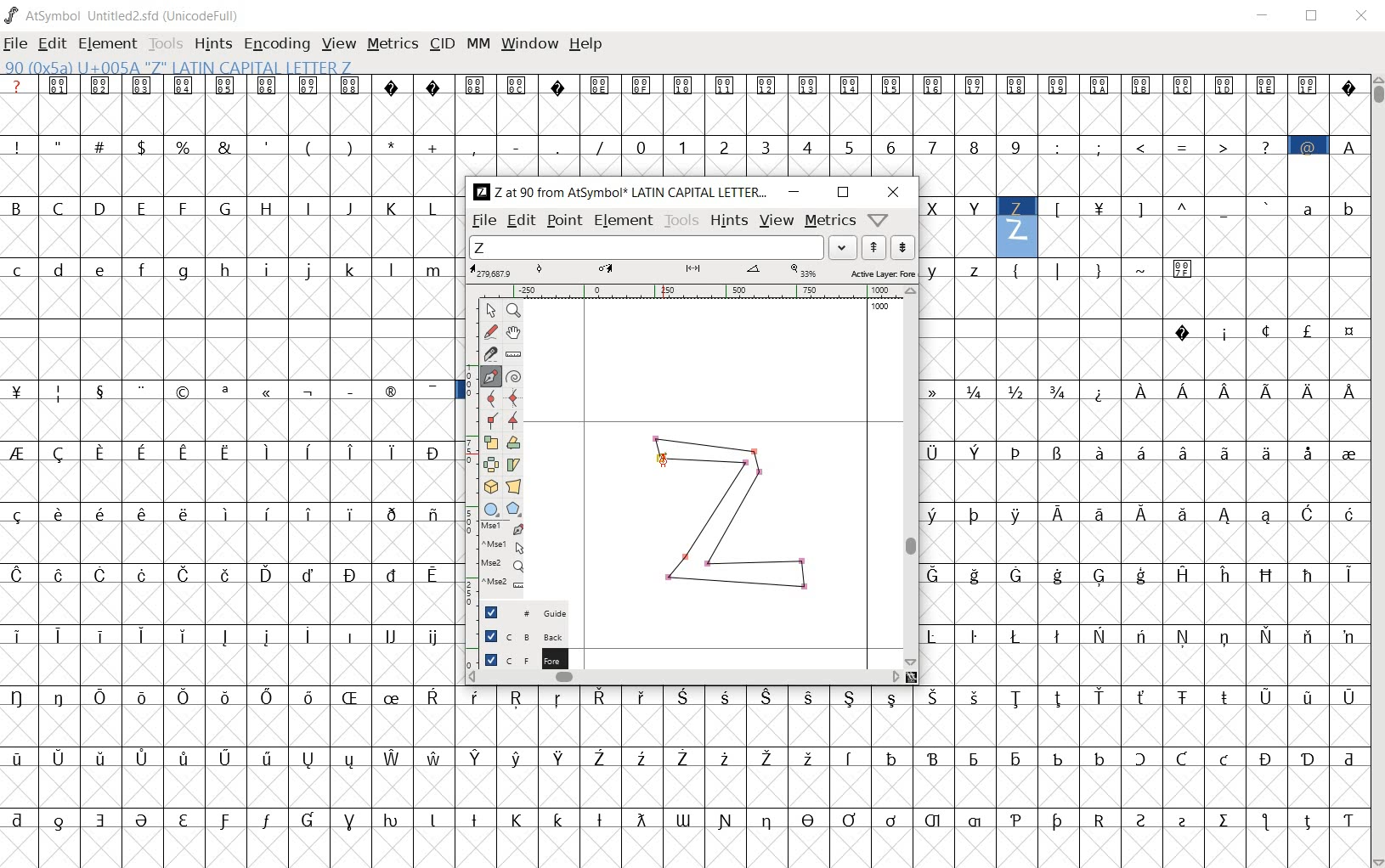 This screenshot has width=1385, height=868. What do you see at coordinates (513, 464) in the screenshot?
I see `skew the selection` at bounding box center [513, 464].